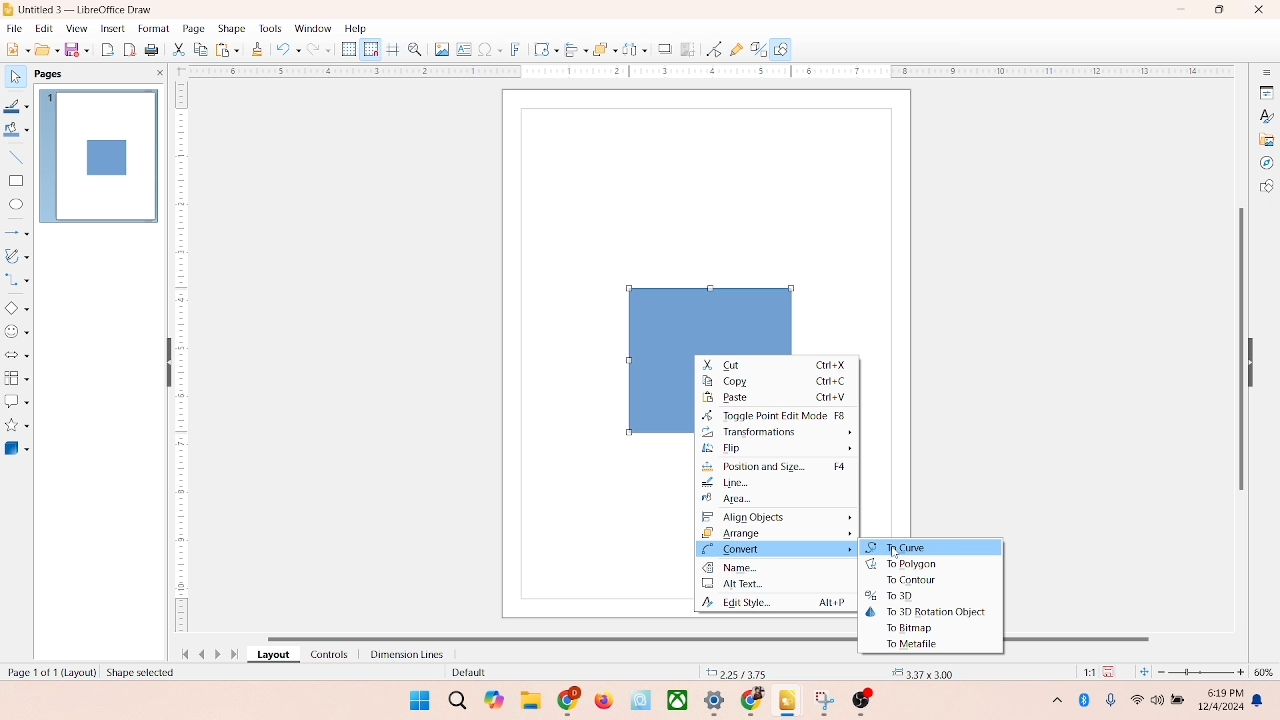 This screenshot has width=1280, height=720. Describe the element at coordinates (392, 50) in the screenshot. I see `helplines` at that location.